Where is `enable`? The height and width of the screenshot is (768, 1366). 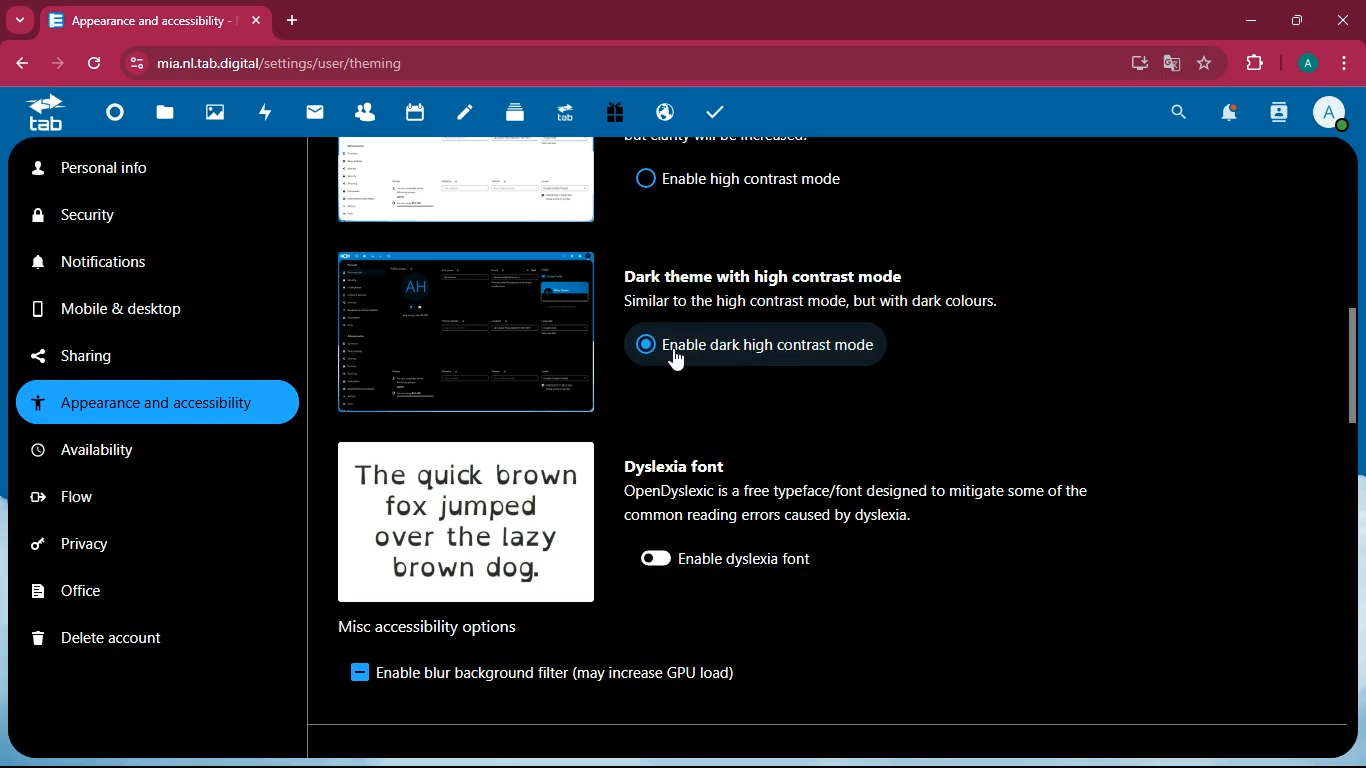 enable is located at coordinates (348, 673).